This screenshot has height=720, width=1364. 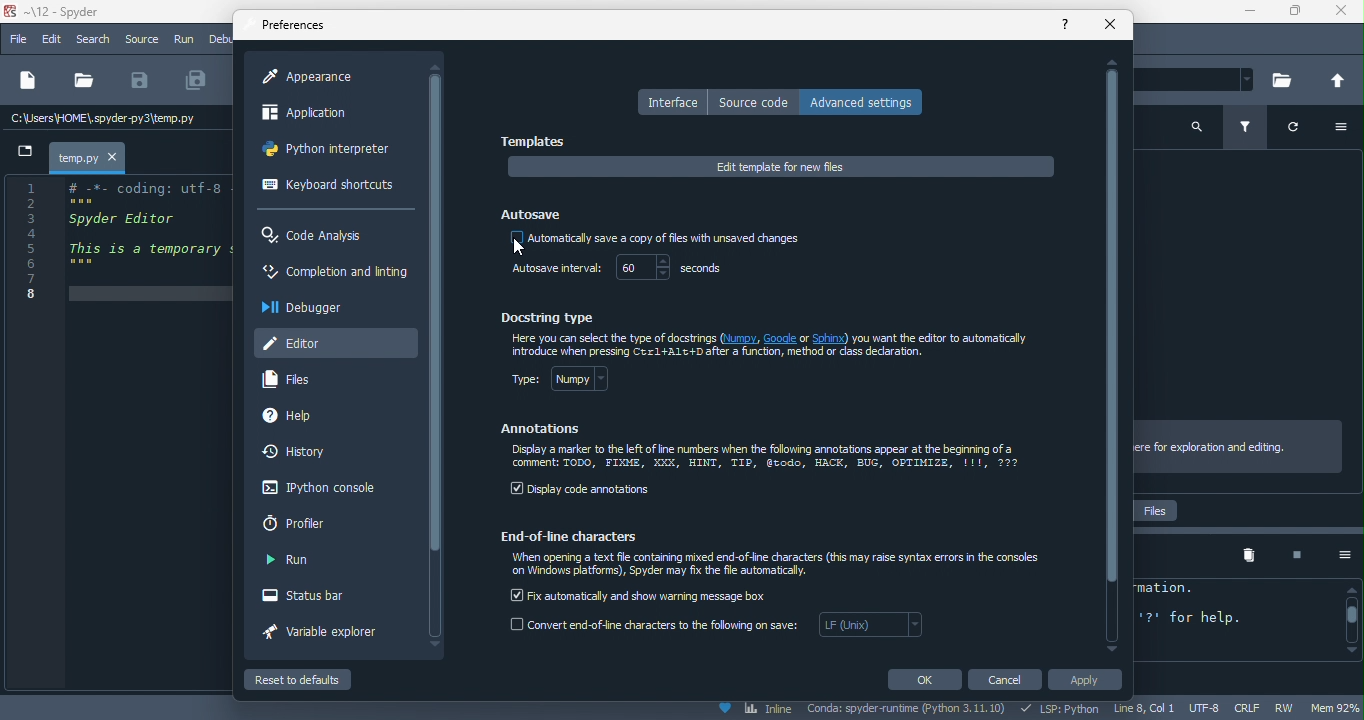 I want to click on search, so click(x=96, y=40).